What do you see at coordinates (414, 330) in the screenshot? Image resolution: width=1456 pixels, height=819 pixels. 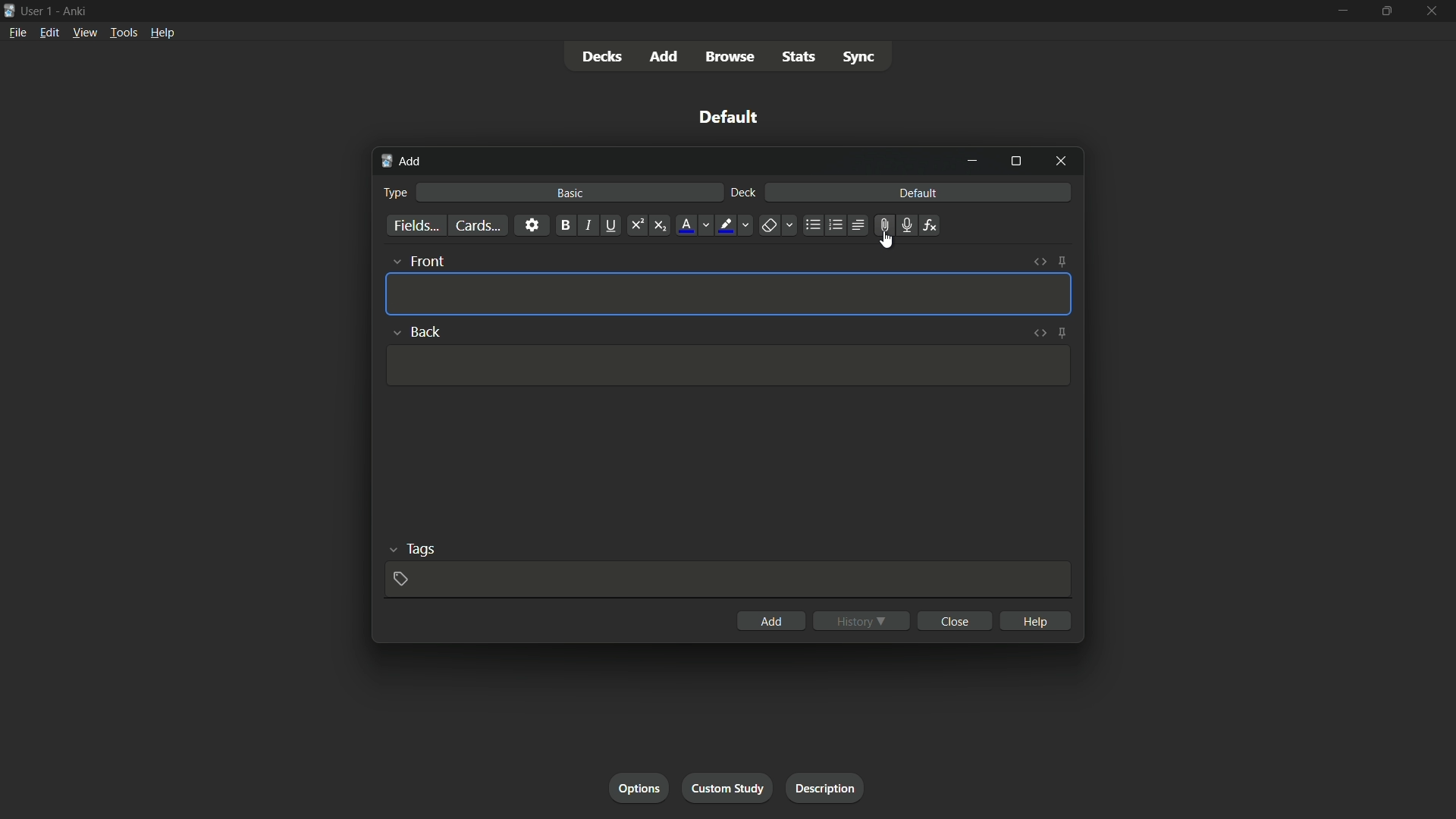 I see `back` at bounding box center [414, 330].